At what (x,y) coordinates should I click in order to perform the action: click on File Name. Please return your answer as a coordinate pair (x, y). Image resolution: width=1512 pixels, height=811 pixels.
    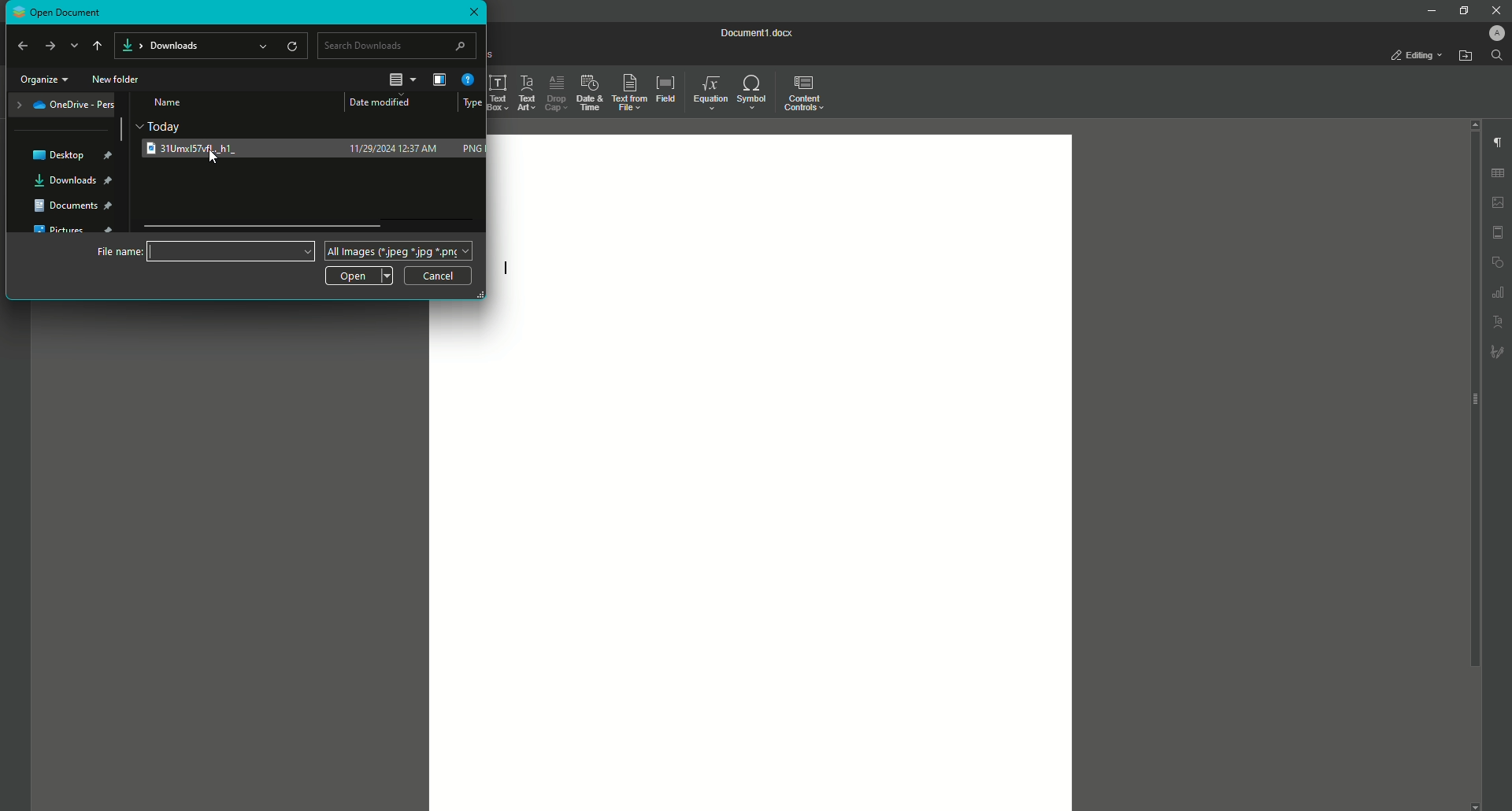
    Looking at the image, I should click on (205, 148).